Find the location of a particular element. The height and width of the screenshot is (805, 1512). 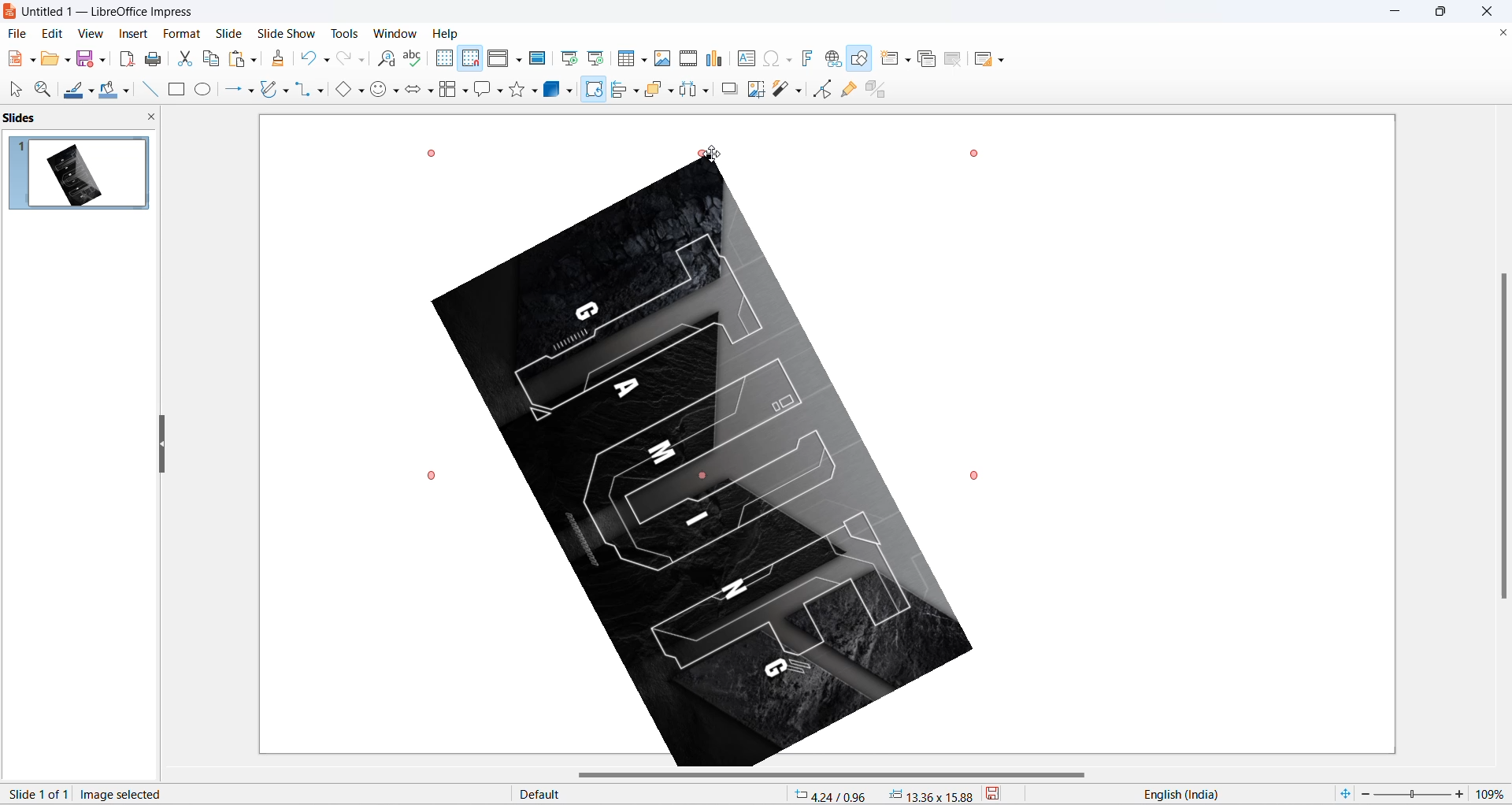

horizontal scroll bar is located at coordinates (836, 776).